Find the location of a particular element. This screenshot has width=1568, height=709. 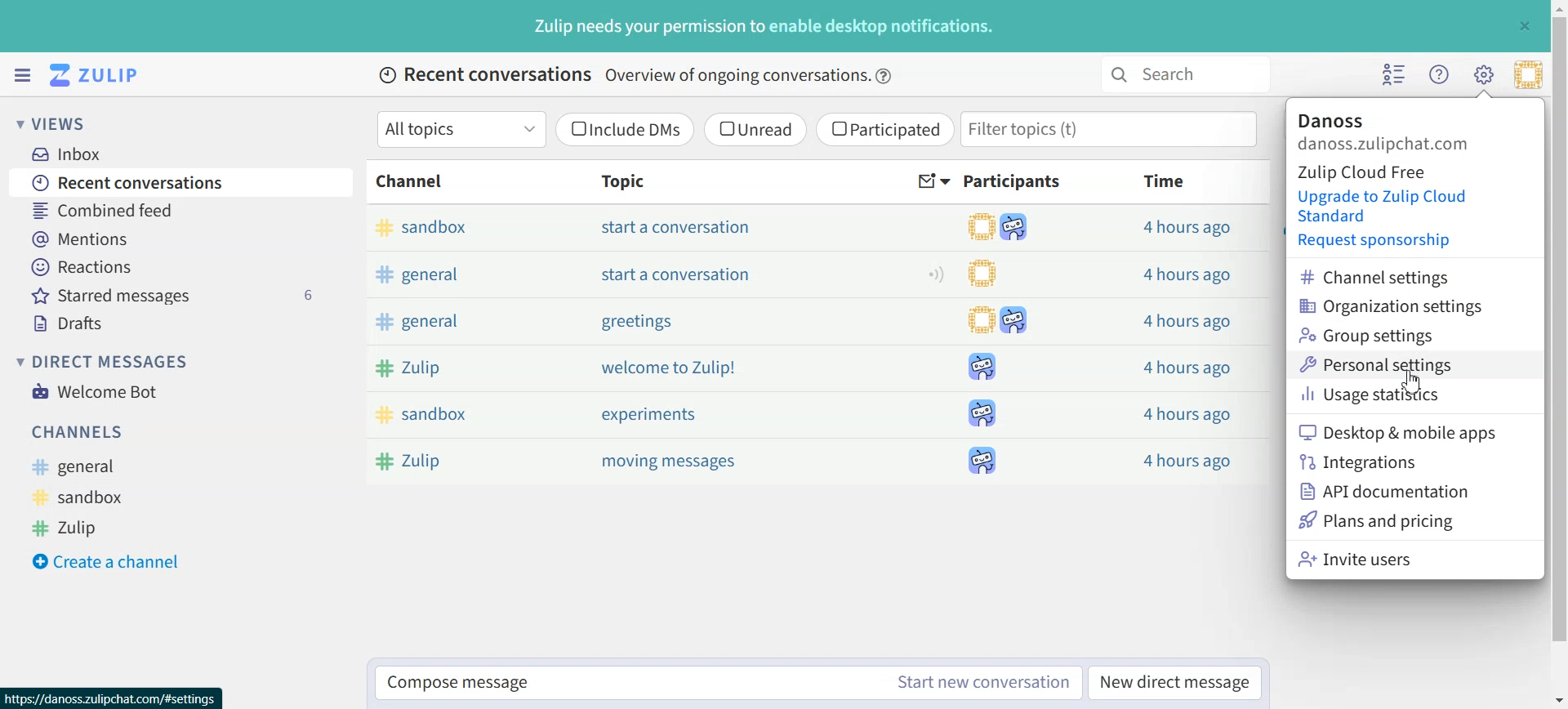

Starred messages is located at coordinates (184, 295).